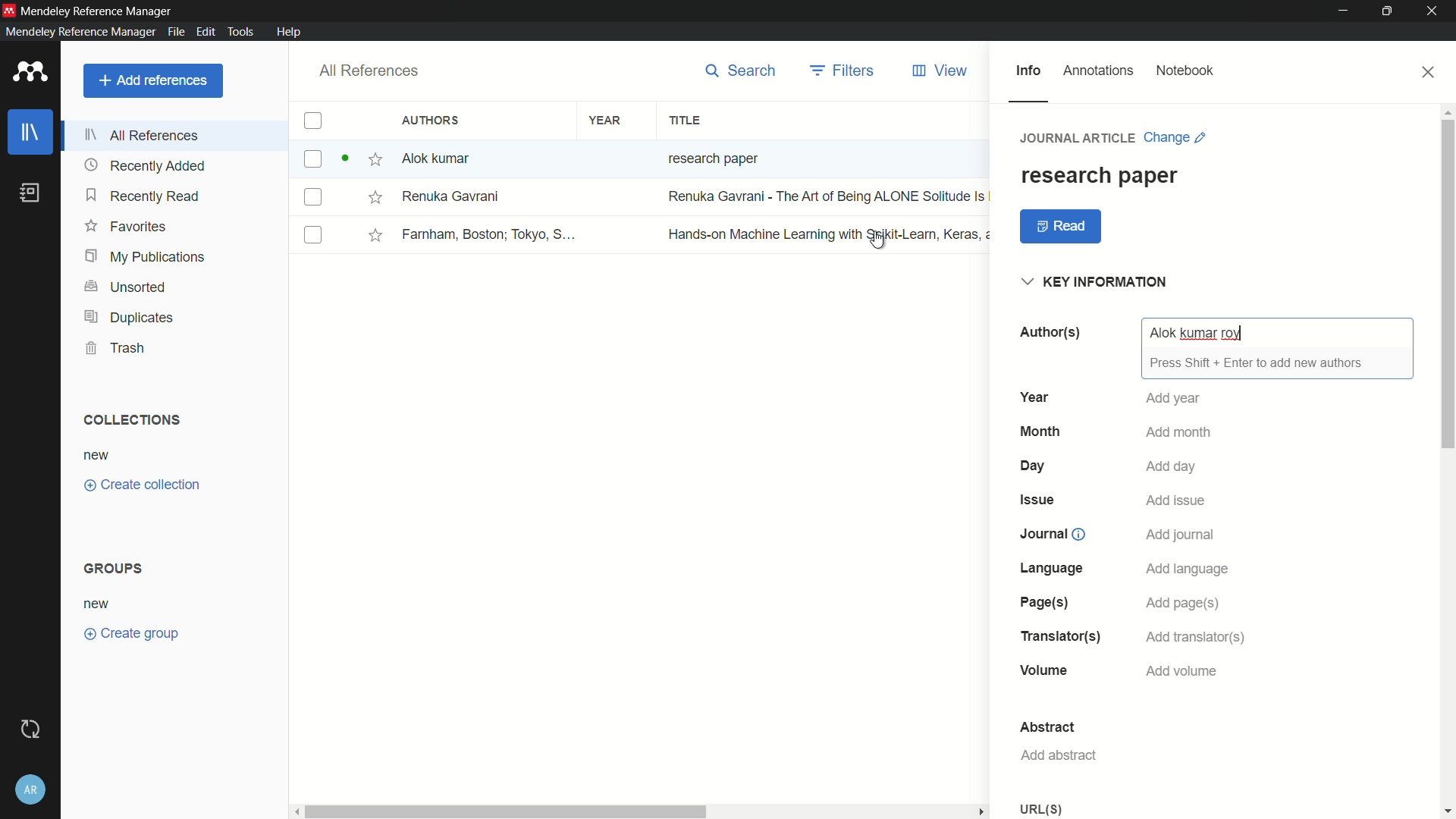 This screenshot has width=1456, height=819. Describe the element at coordinates (145, 166) in the screenshot. I see `recently added` at that location.